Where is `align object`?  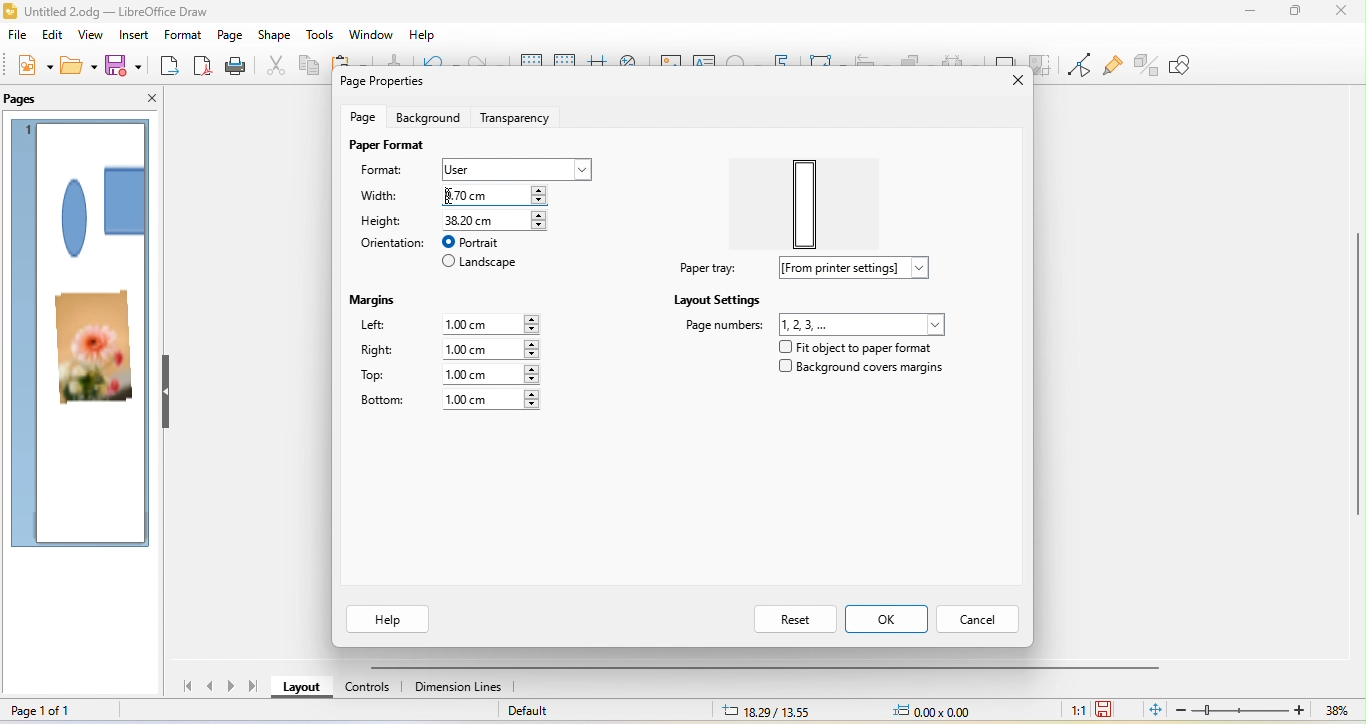 align object is located at coordinates (872, 63).